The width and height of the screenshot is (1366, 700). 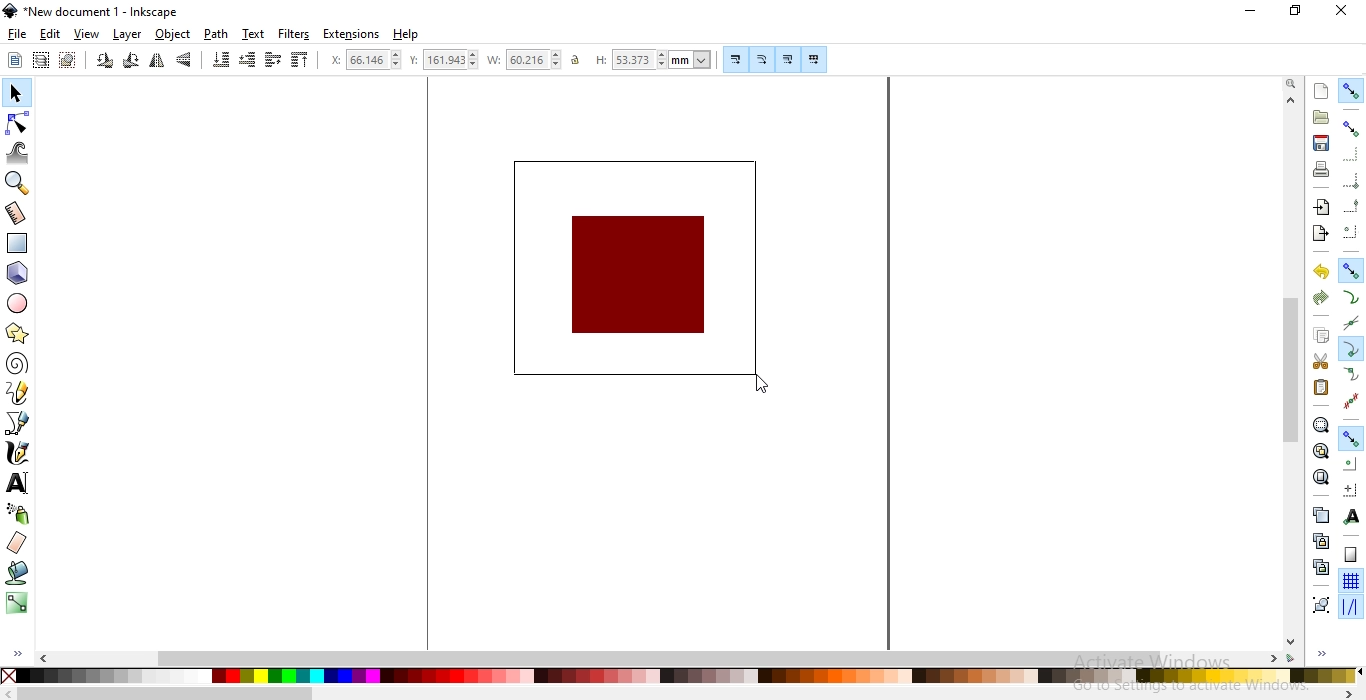 I want to click on snap nodes, paths and handles, so click(x=1350, y=439).